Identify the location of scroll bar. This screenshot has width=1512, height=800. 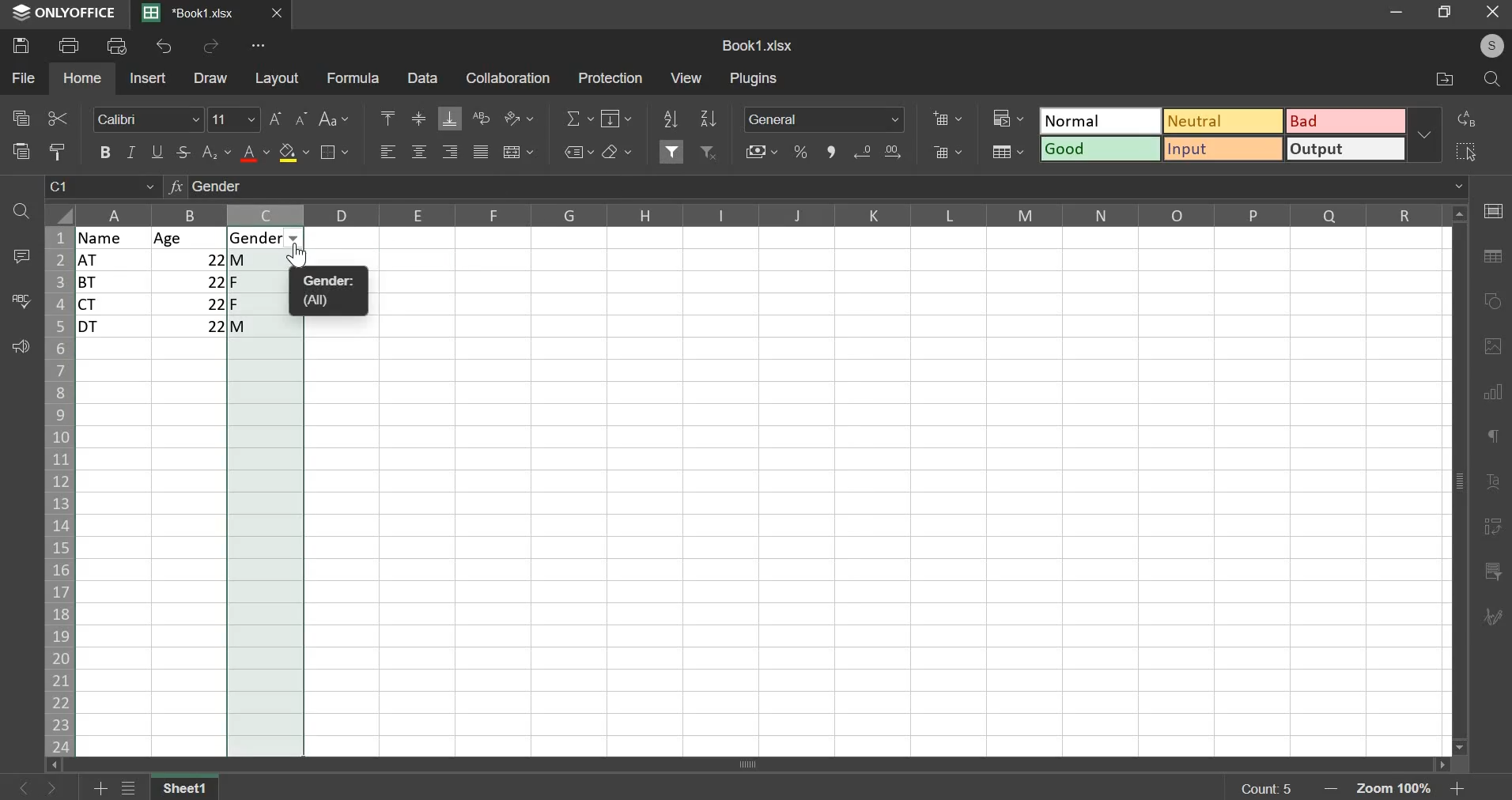
(1461, 481).